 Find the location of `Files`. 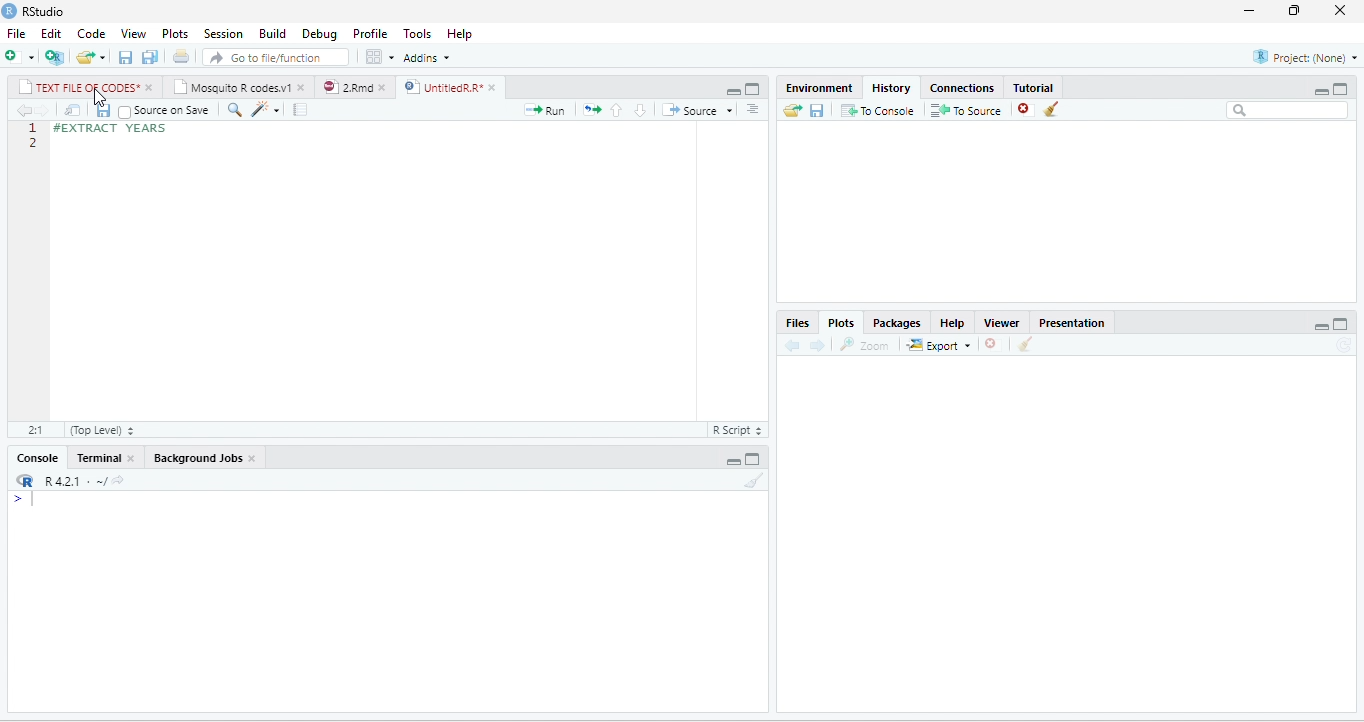

Files is located at coordinates (799, 324).